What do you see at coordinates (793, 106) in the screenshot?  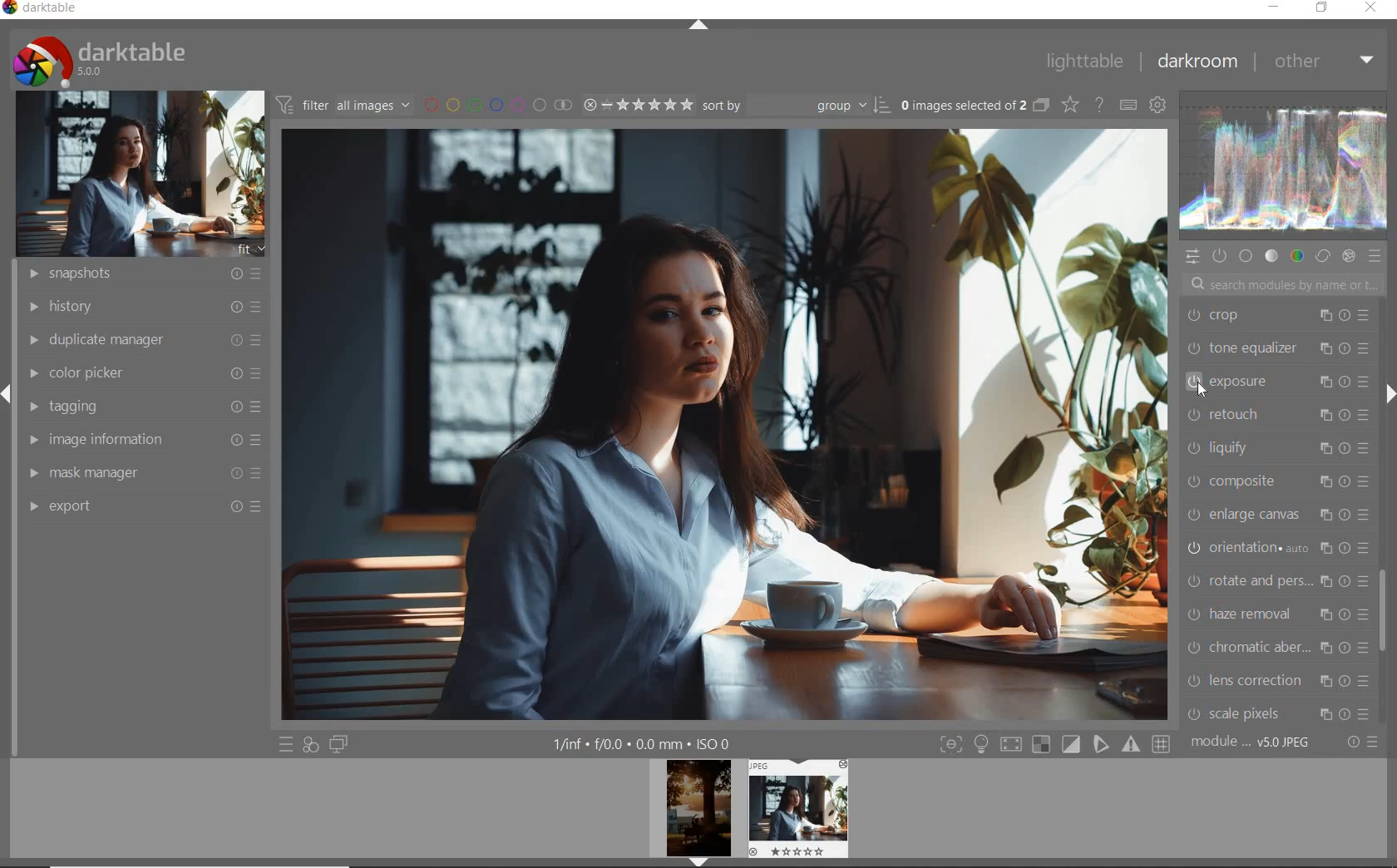 I see `SORT` at bounding box center [793, 106].